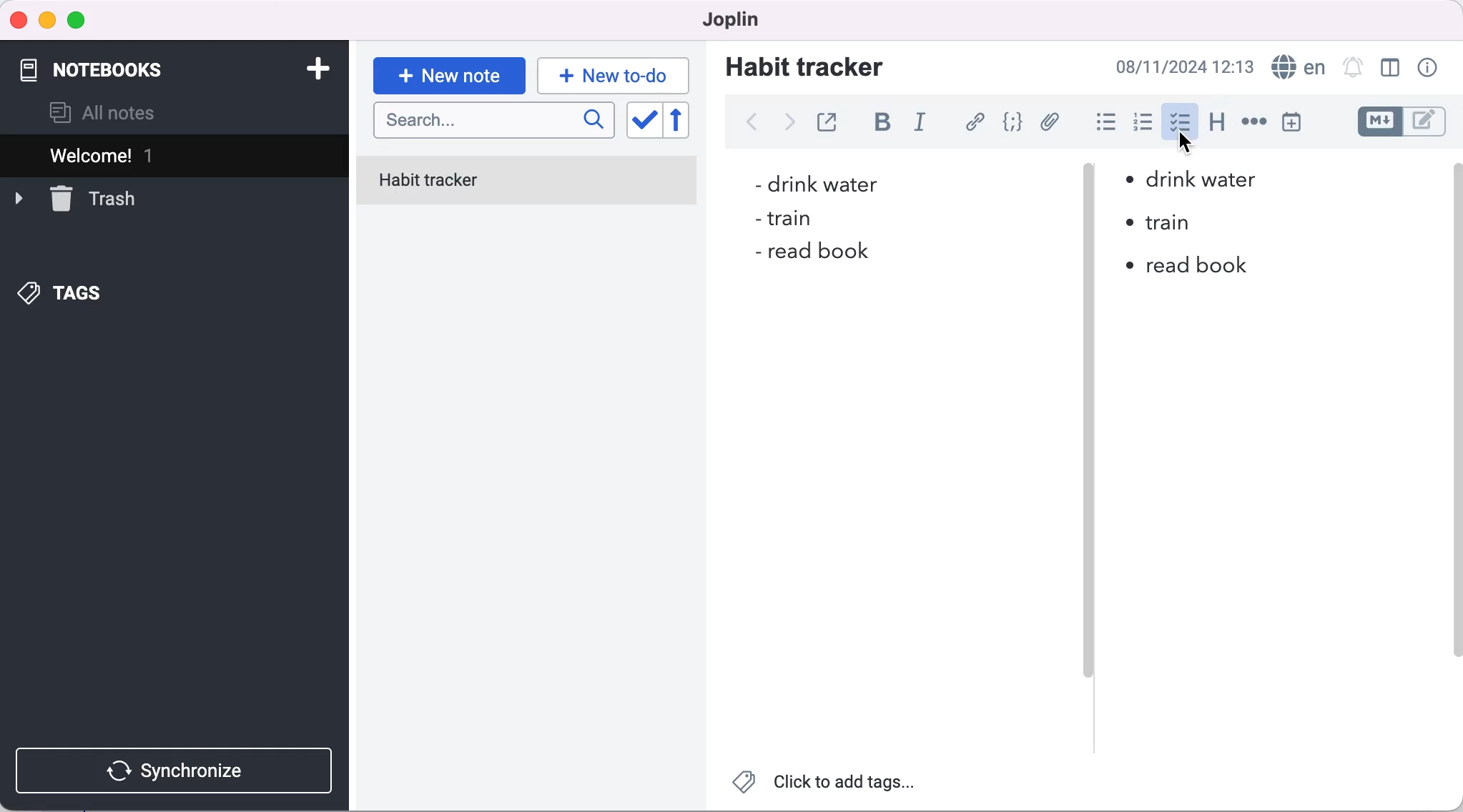 This screenshot has height=812, width=1463. Describe the element at coordinates (643, 122) in the screenshot. I see `toggle sort order field` at that location.